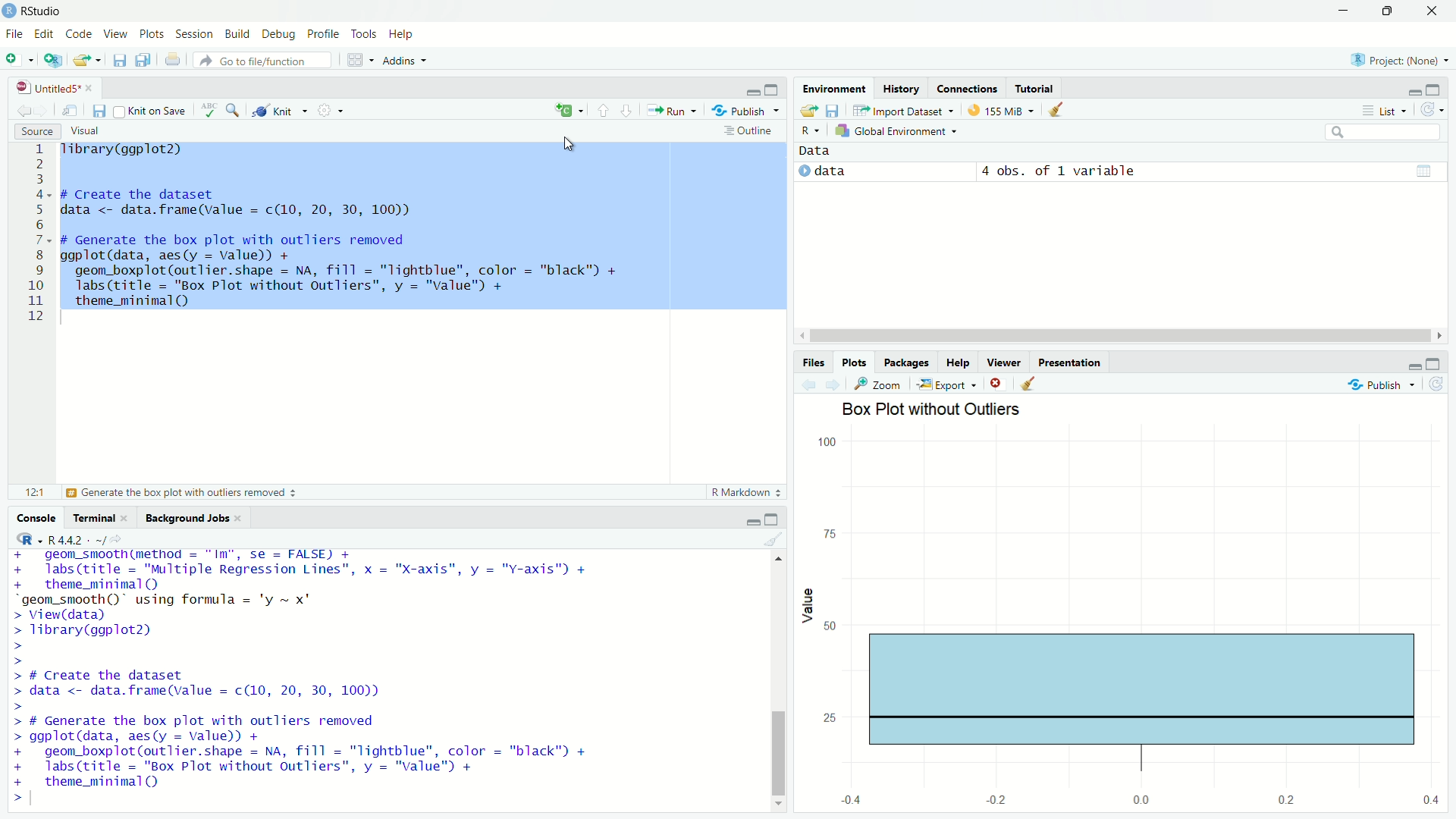  Describe the element at coordinates (52, 89) in the screenshot. I see `@ | Untitled5*` at that location.